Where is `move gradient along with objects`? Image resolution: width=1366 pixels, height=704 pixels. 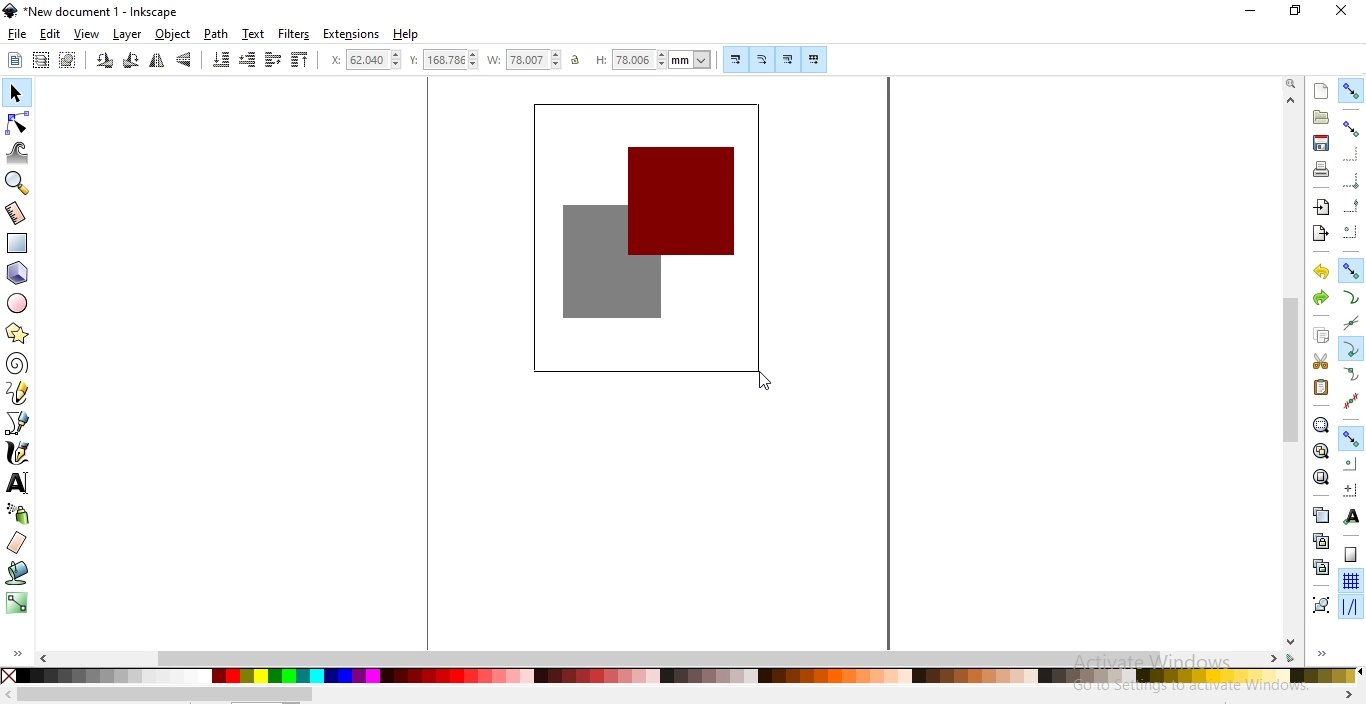
move gradient along with objects is located at coordinates (788, 60).